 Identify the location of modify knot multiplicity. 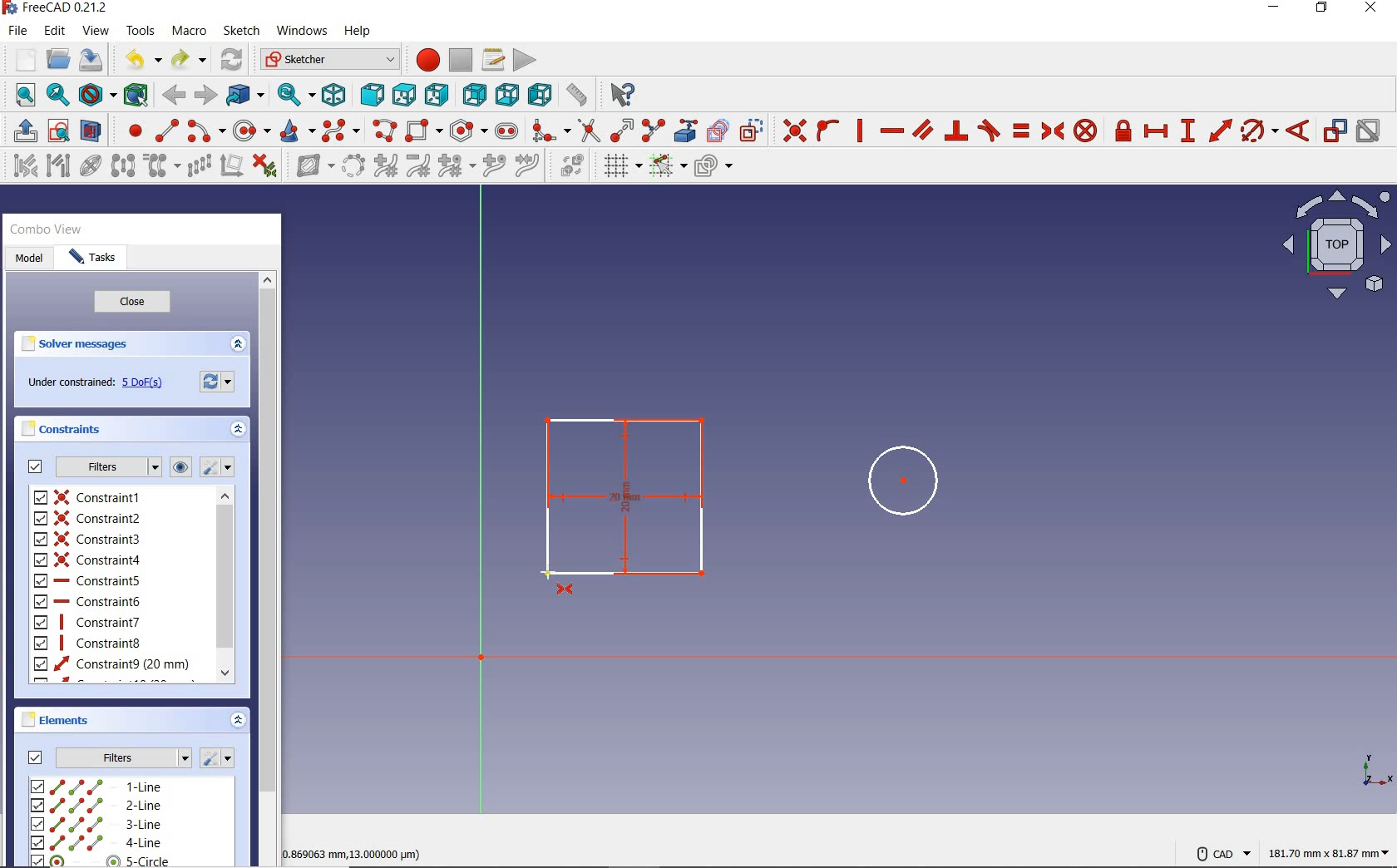
(457, 167).